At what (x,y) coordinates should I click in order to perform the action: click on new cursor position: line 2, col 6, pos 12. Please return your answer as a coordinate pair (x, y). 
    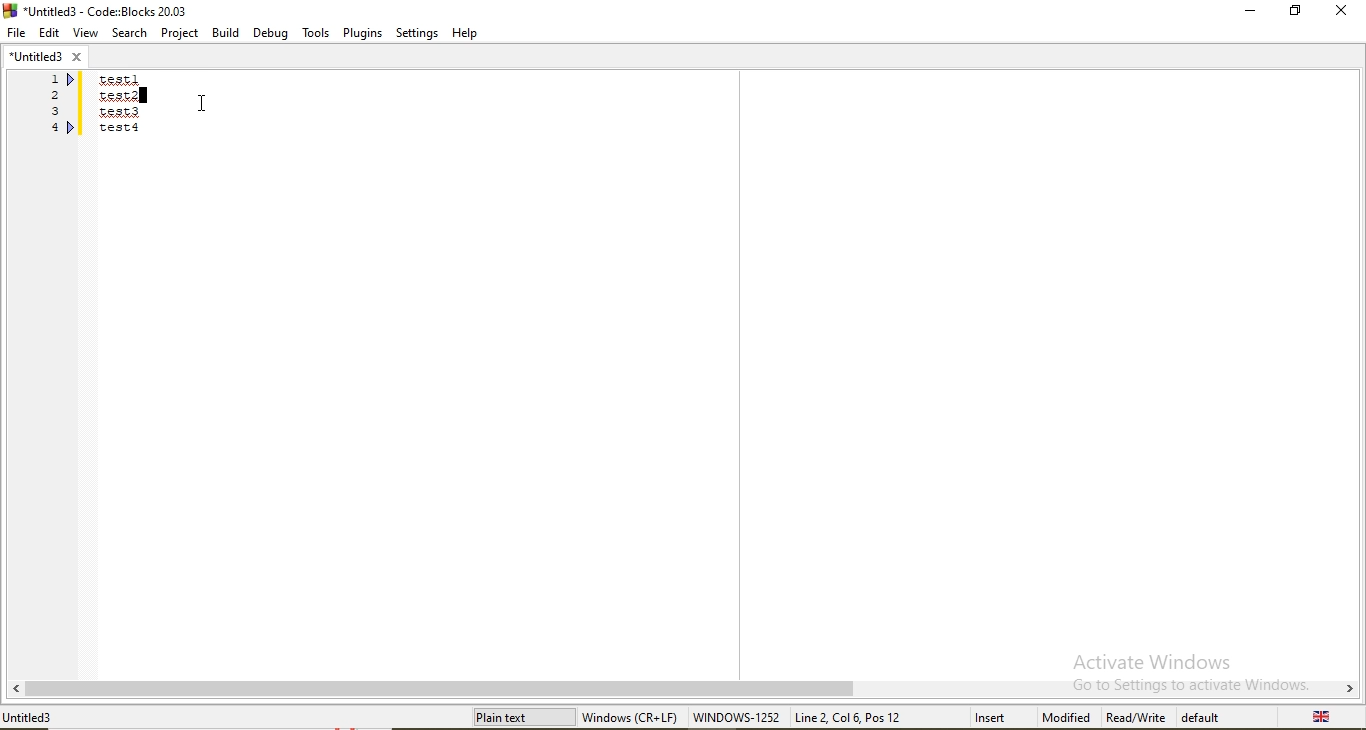
    Looking at the image, I should click on (871, 717).